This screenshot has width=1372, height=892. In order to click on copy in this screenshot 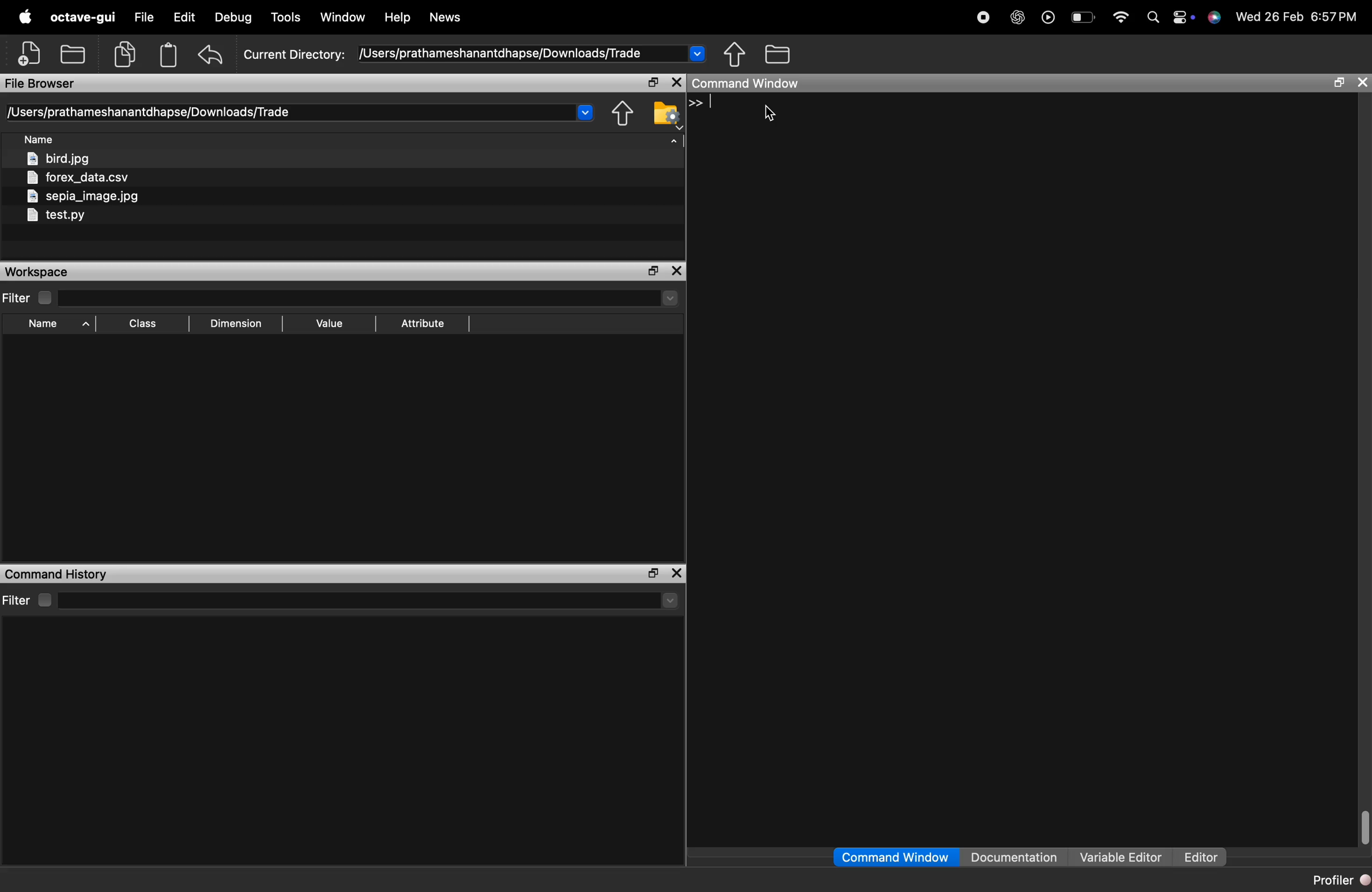, I will do `click(124, 53)`.